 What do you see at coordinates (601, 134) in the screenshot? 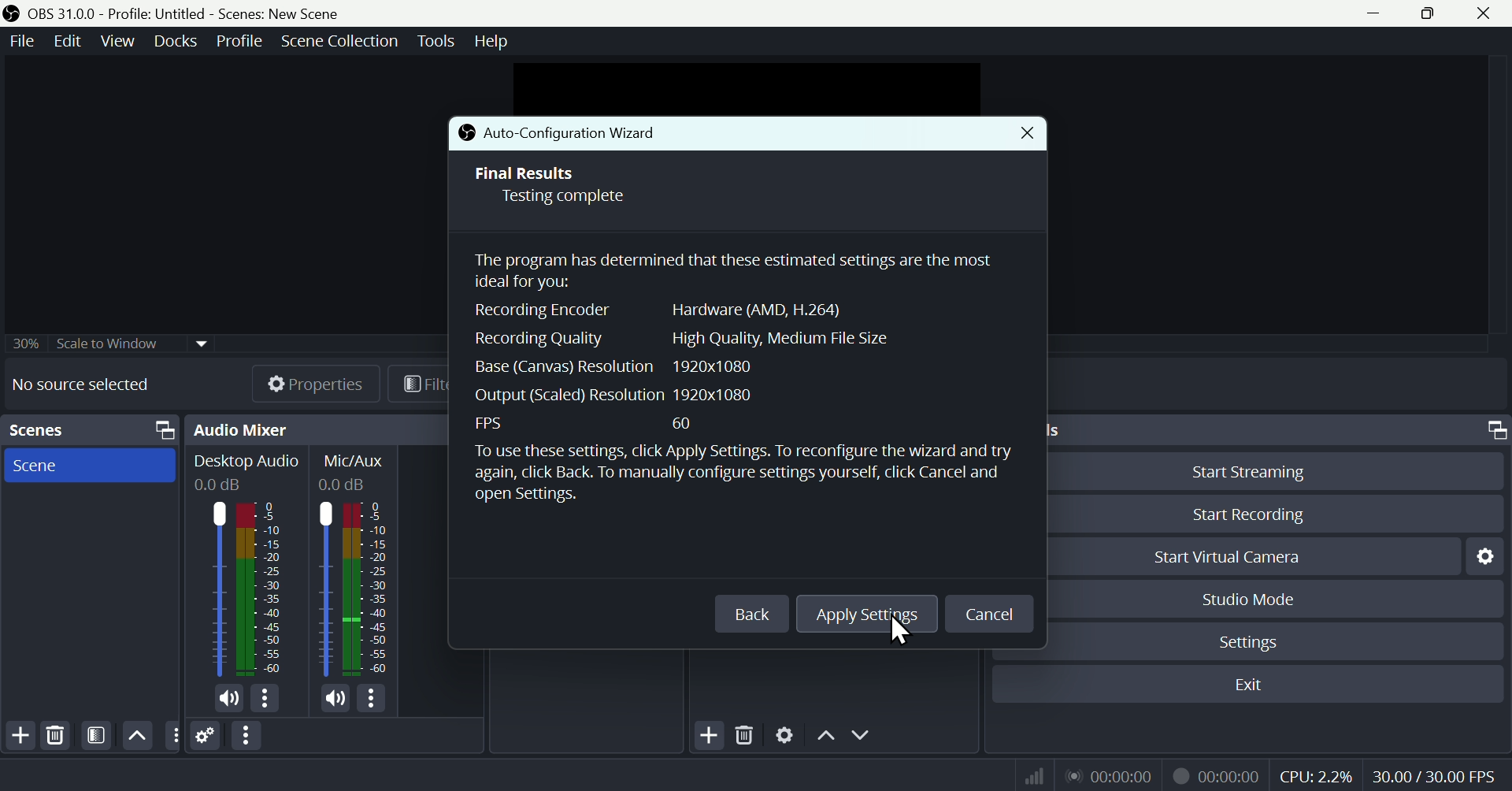
I see `Auto-Configuration Wizard` at bounding box center [601, 134].